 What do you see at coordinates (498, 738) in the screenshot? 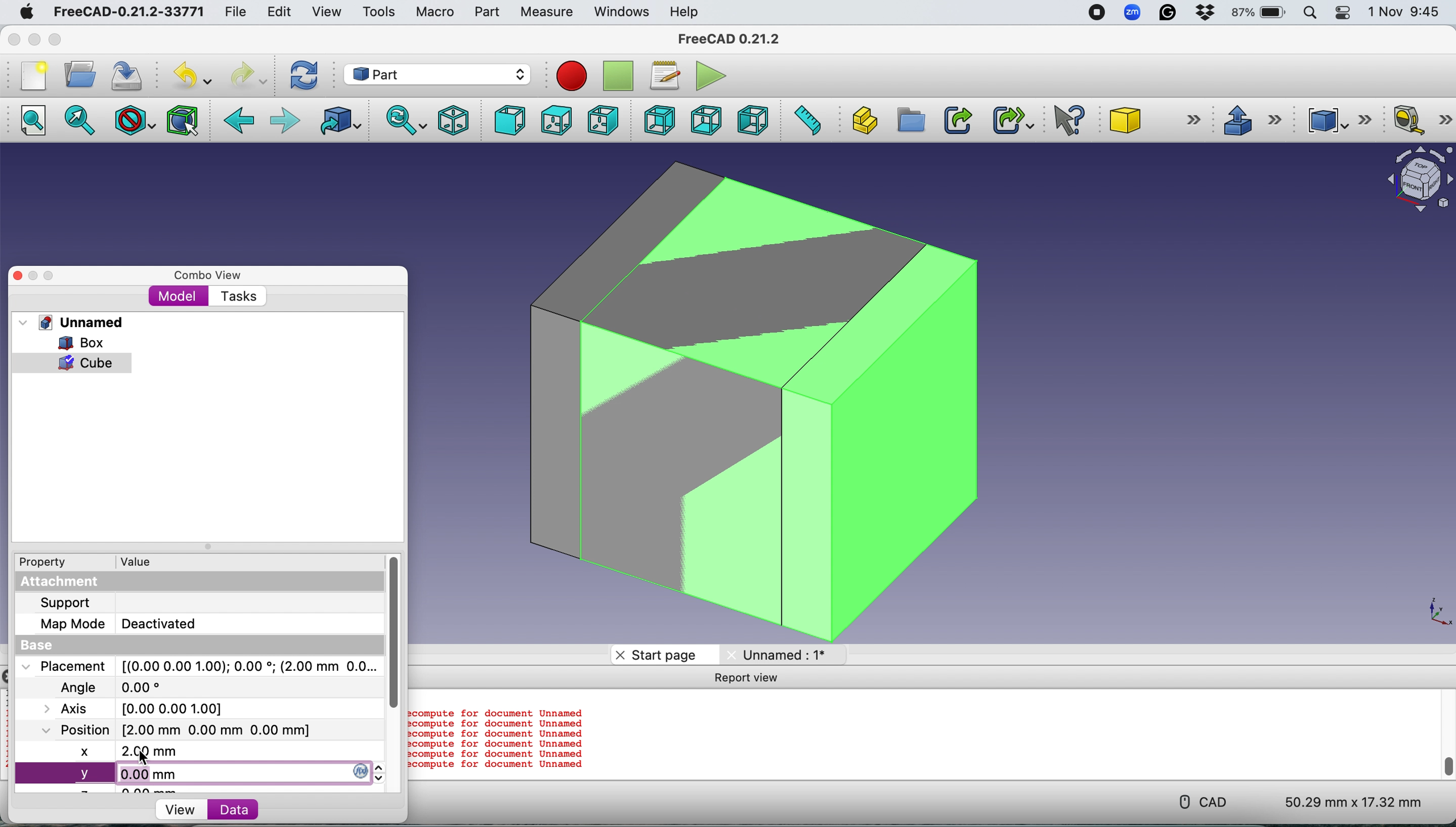
I see `compute for document Unnamed` at bounding box center [498, 738].